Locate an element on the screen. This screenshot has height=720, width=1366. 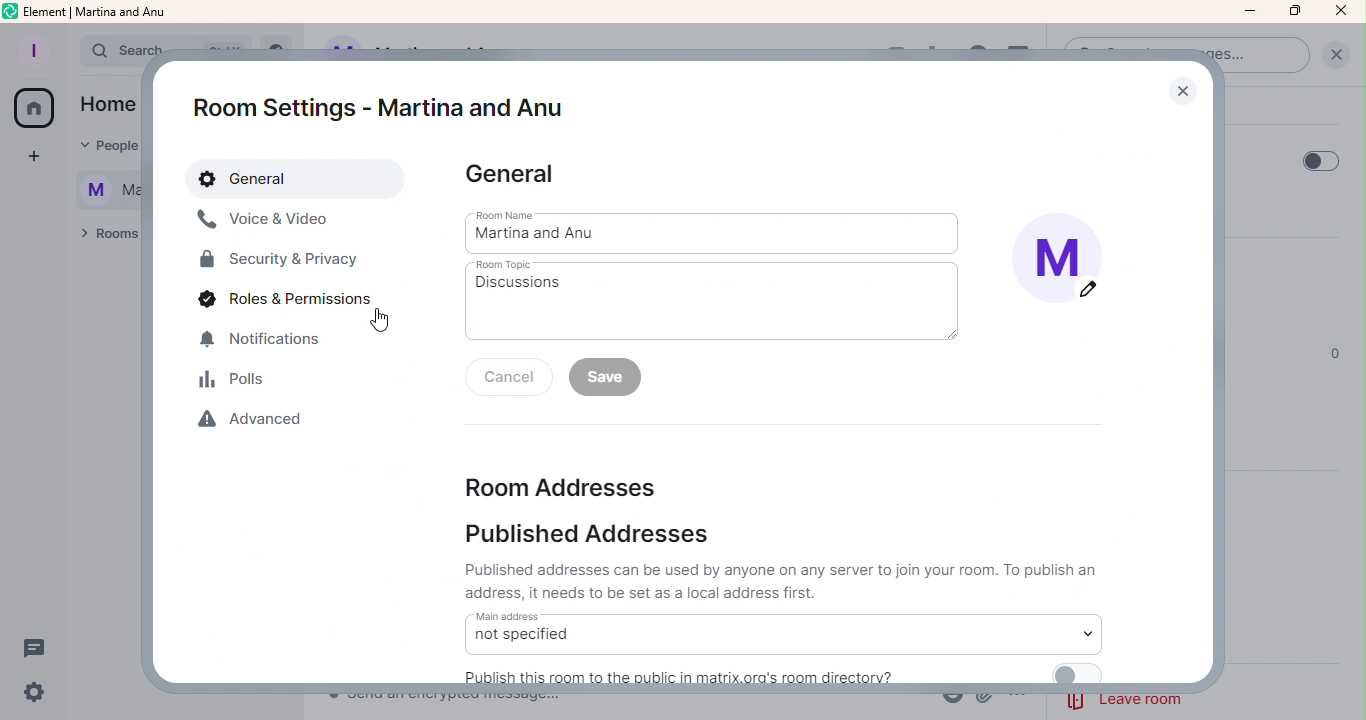
Room topic is located at coordinates (715, 301).